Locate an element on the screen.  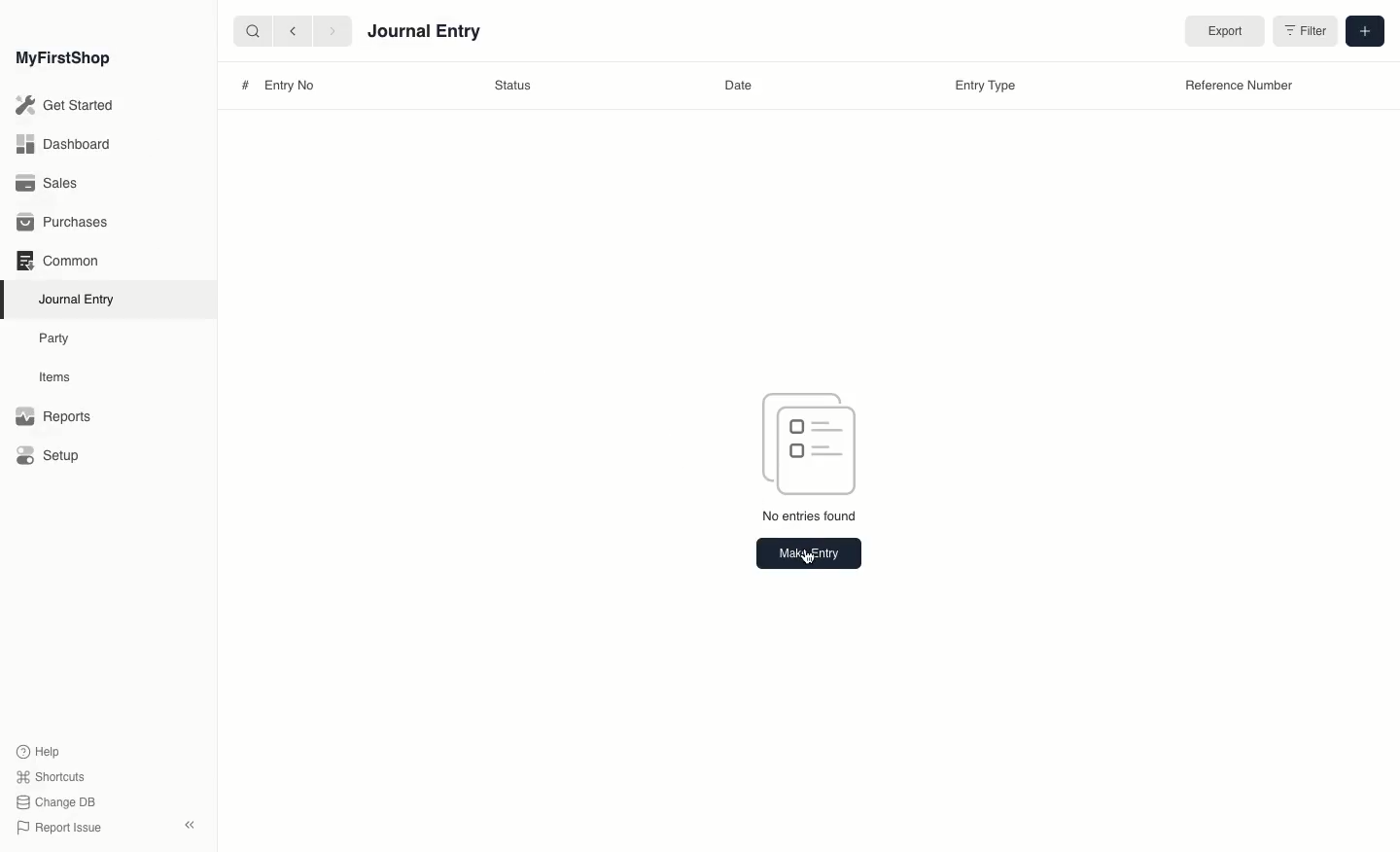
Party is located at coordinates (55, 337).